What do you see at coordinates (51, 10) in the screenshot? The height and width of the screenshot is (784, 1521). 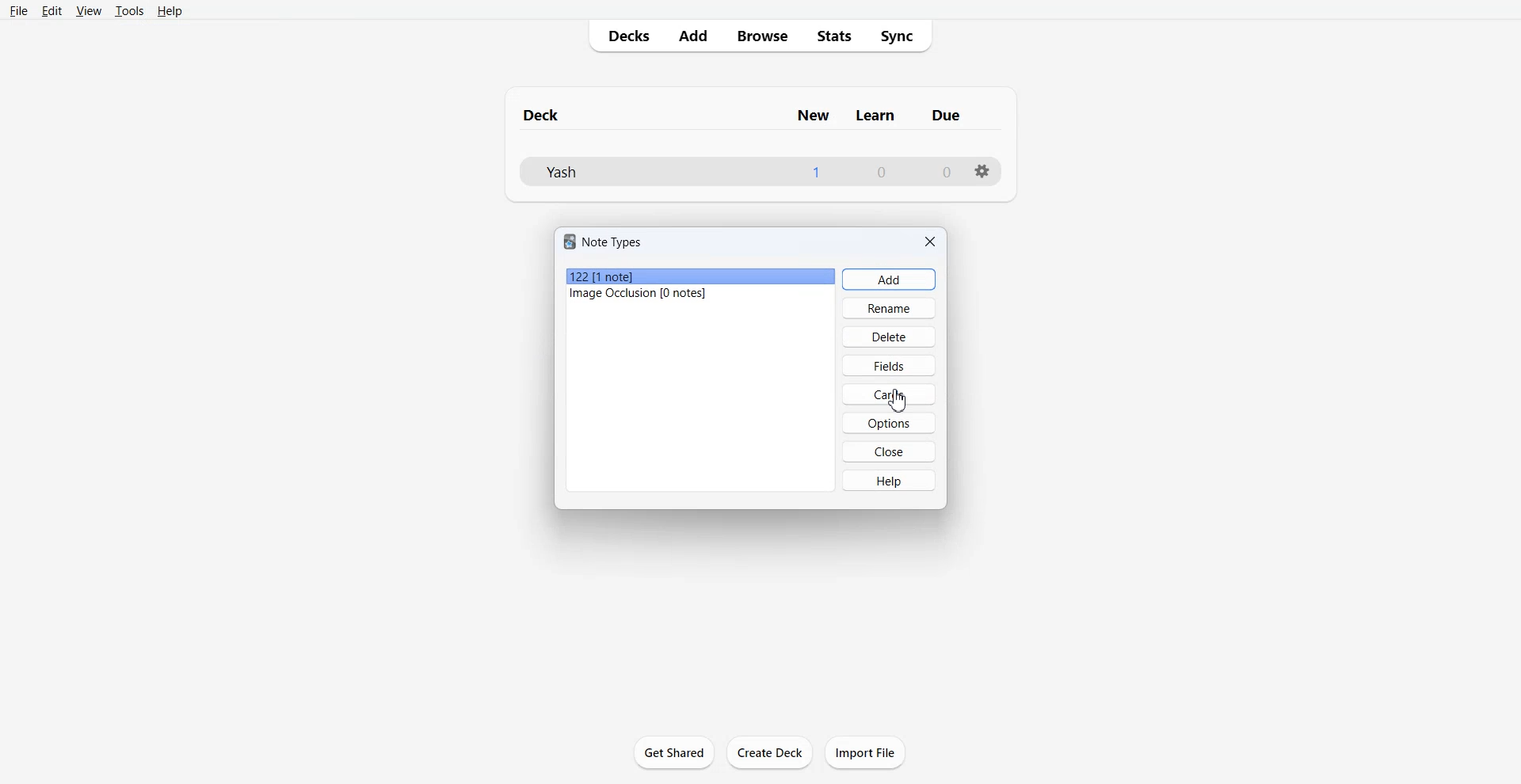 I see `Edit` at bounding box center [51, 10].